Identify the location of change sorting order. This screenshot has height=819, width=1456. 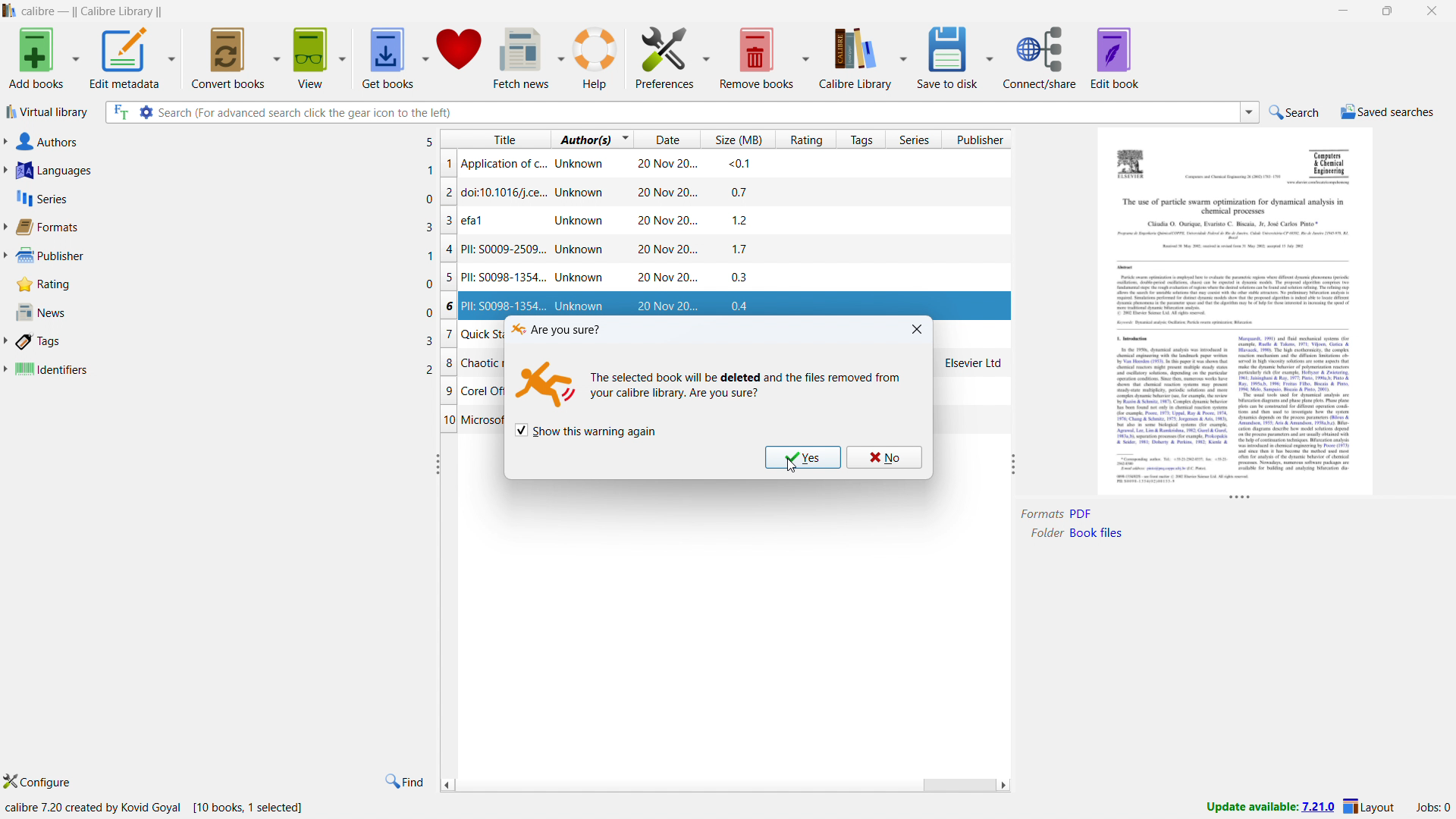
(626, 138).